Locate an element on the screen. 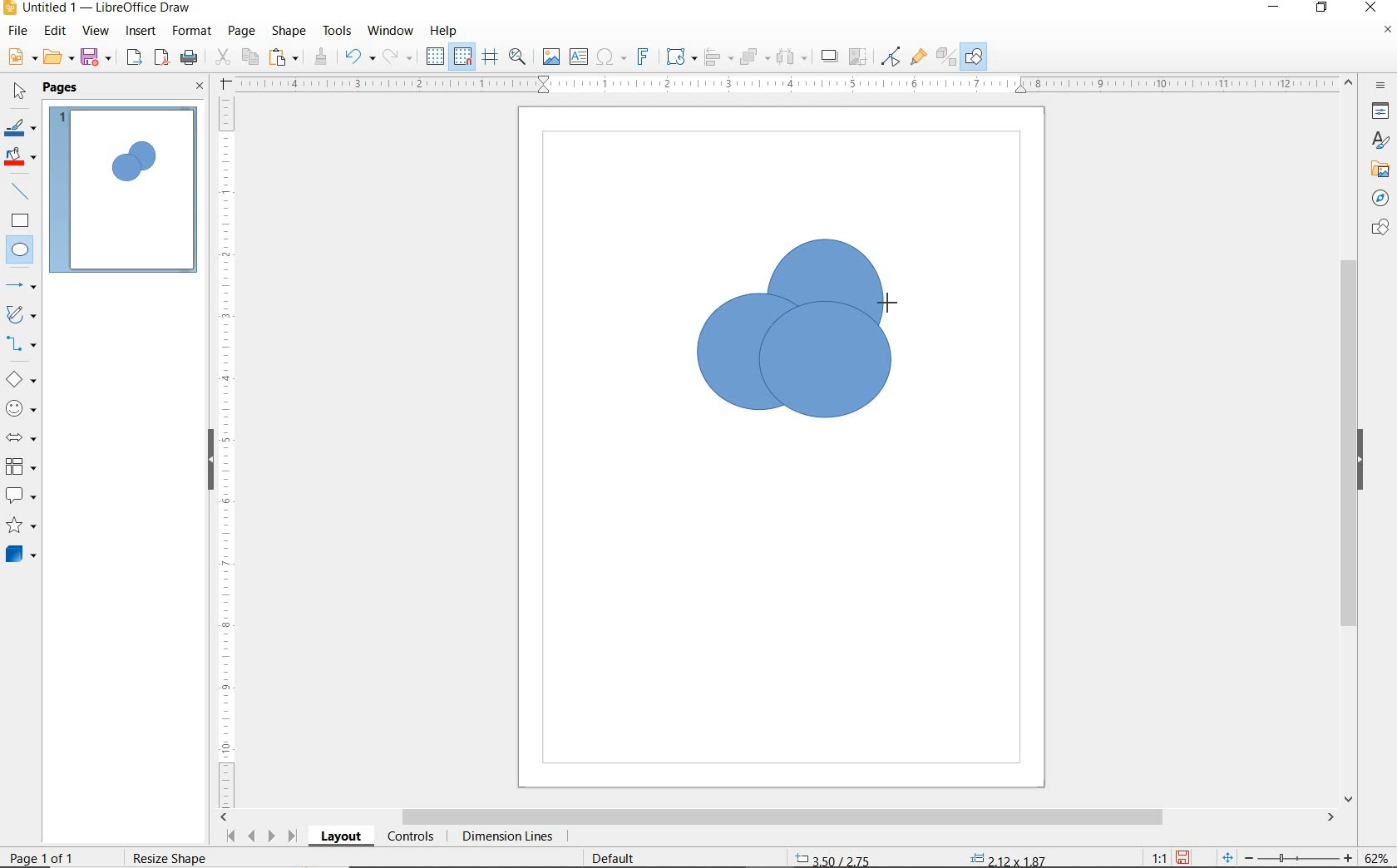 This screenshot has height=868, width=1397. RECTANGLE is located at coordinates (20, 223).